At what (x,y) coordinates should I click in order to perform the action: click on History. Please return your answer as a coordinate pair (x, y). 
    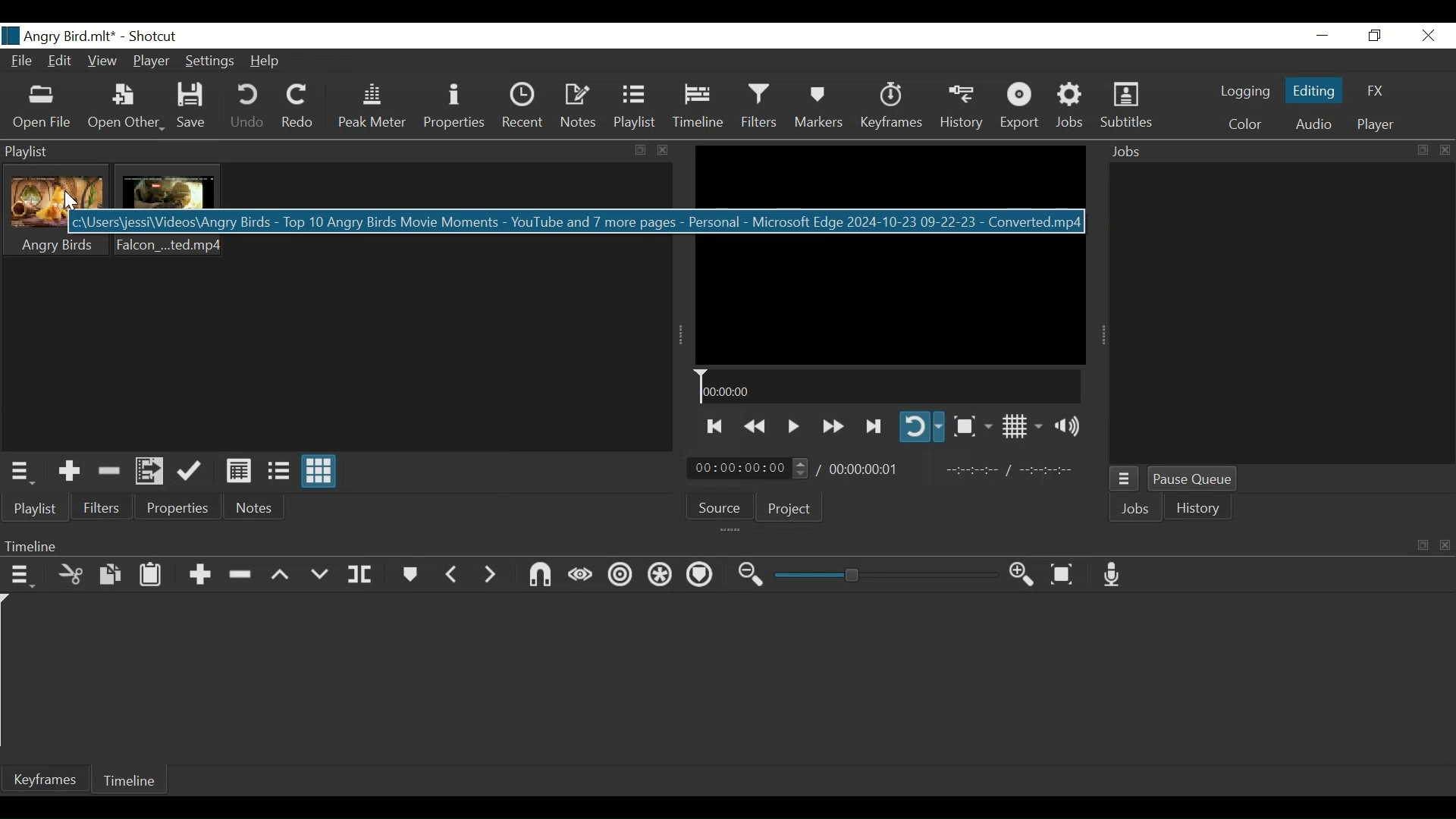
    Looking at the image, I should click on (964, 108).